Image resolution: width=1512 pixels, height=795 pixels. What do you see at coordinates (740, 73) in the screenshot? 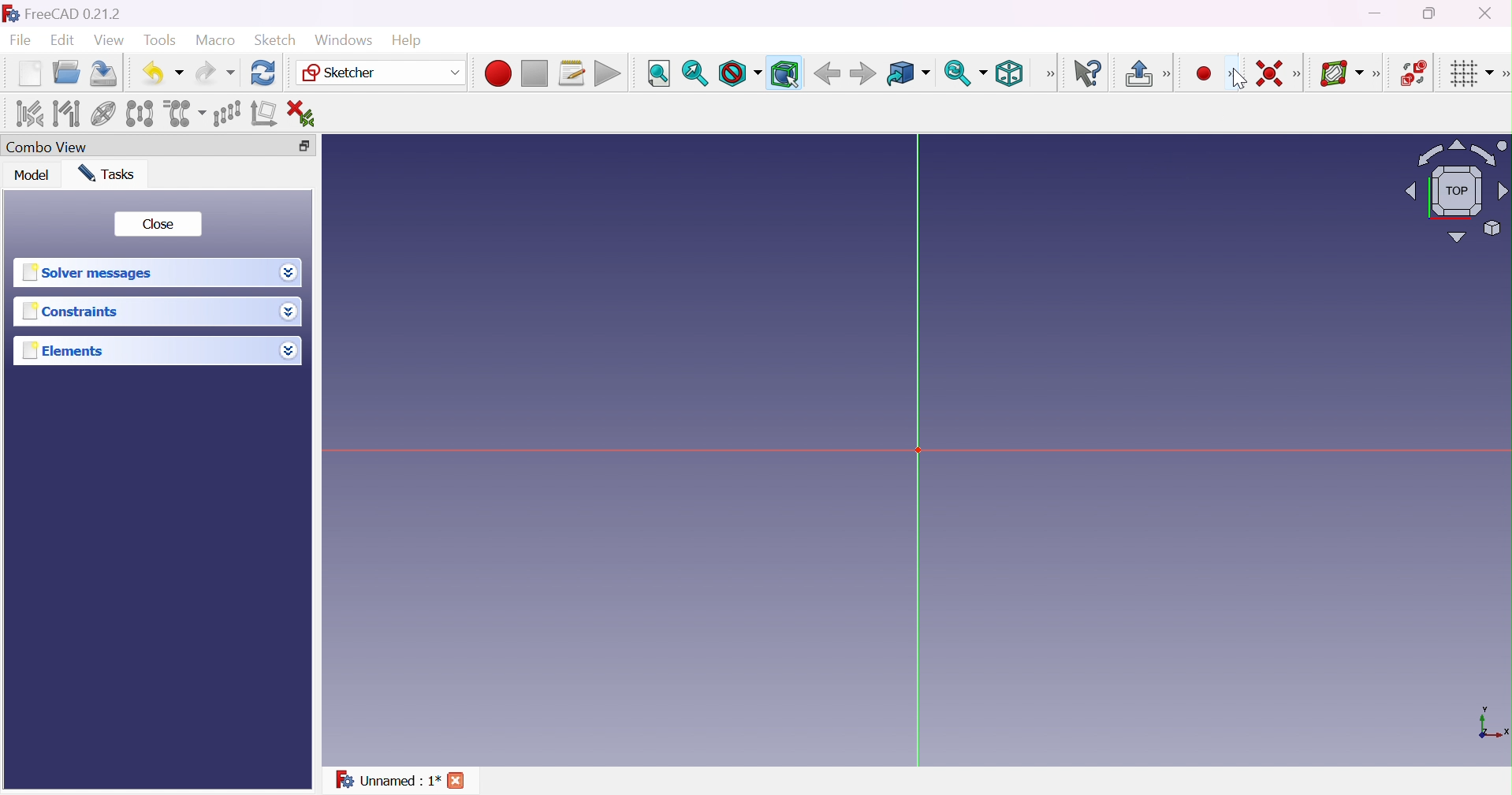
I see `Draw style` at bounding box center [740, 73].